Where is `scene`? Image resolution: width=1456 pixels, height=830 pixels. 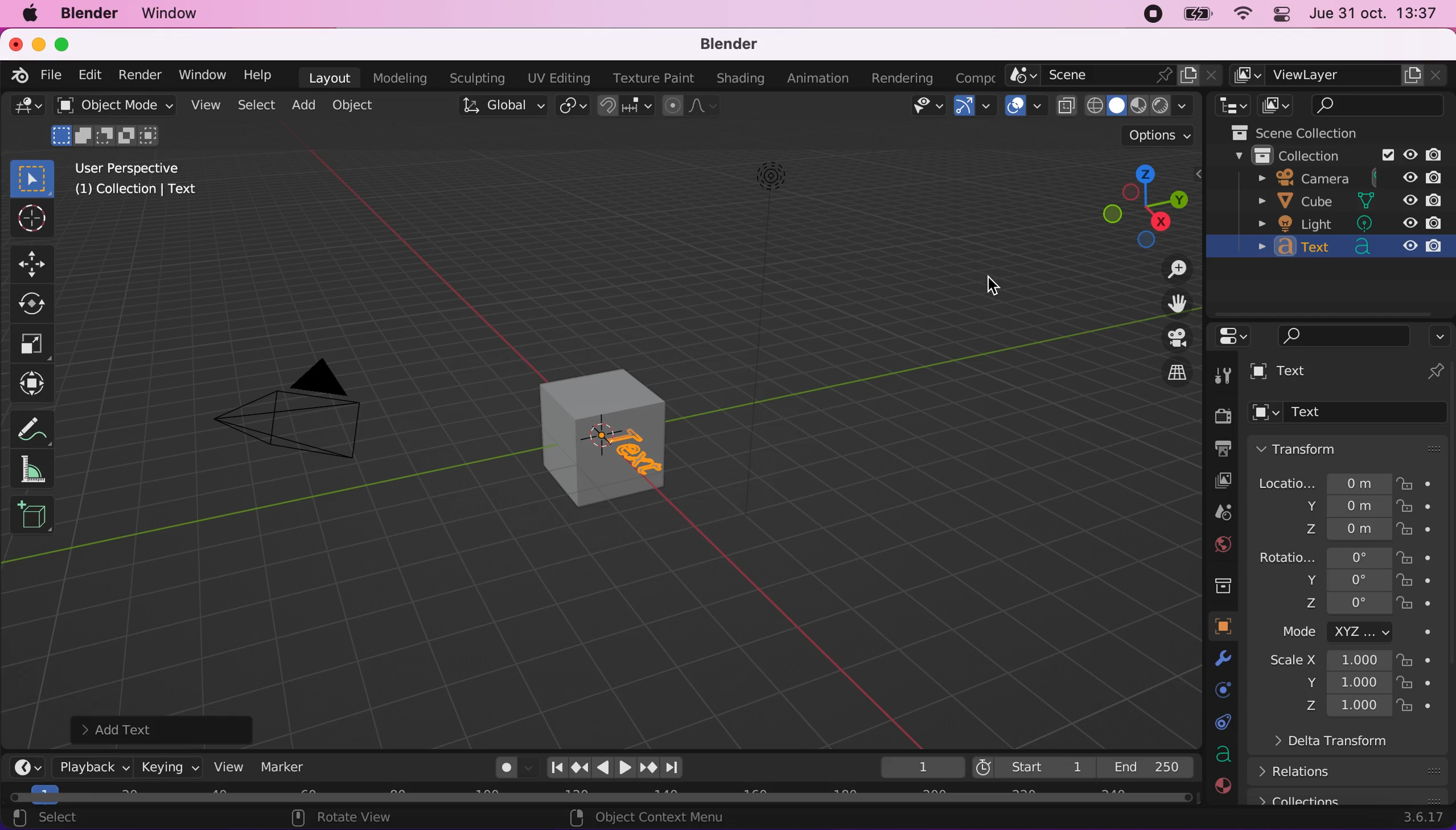 scene is located at coordinates (1223, 513).